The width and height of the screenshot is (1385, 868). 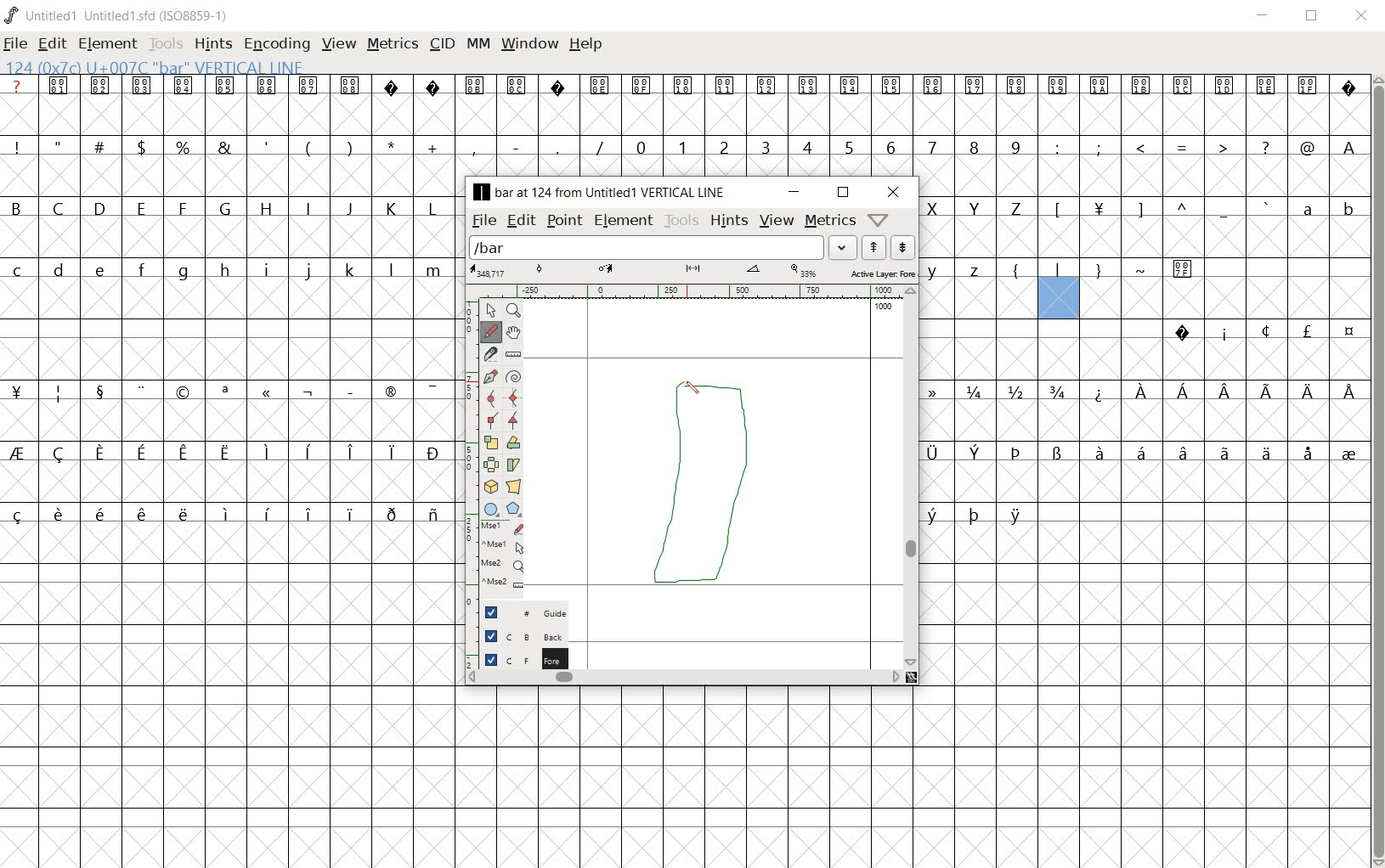 I want to click on cid, so click(x=442, y=44).